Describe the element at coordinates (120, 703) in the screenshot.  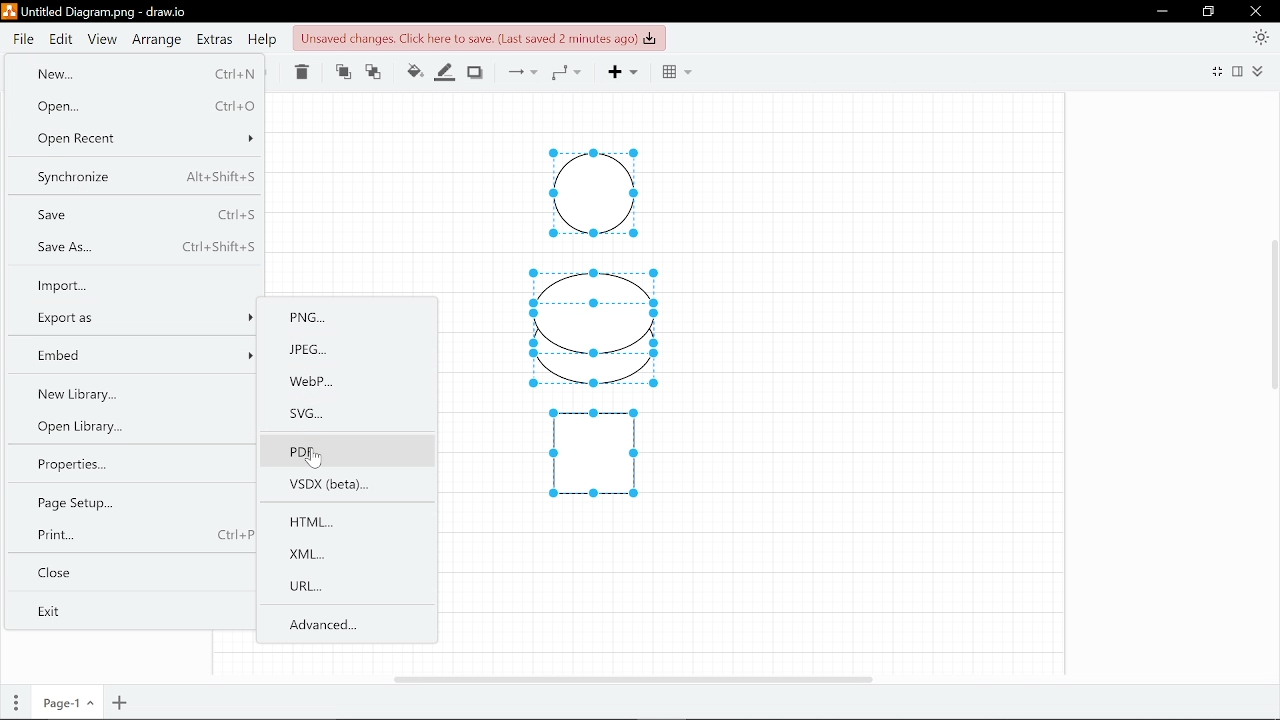
I see `Add page` at that location.